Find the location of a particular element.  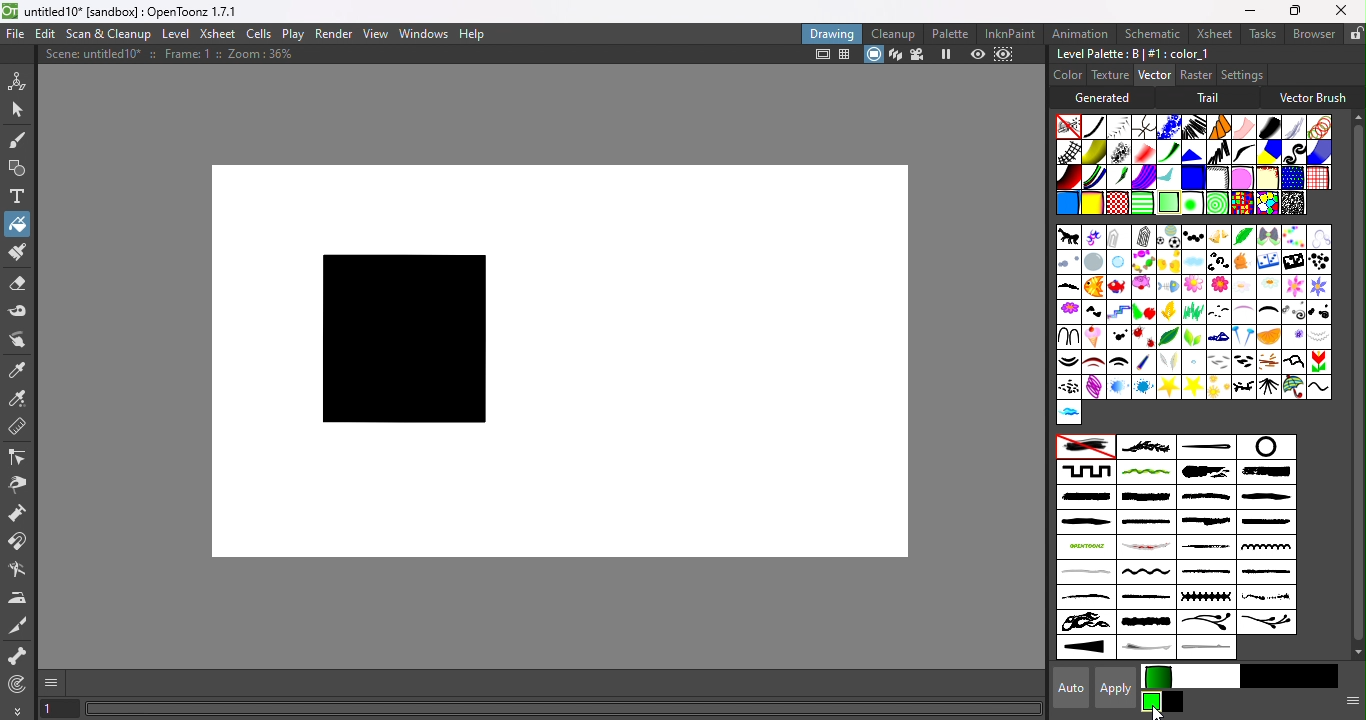

Style picker tool is located at coordinates (22, 368).